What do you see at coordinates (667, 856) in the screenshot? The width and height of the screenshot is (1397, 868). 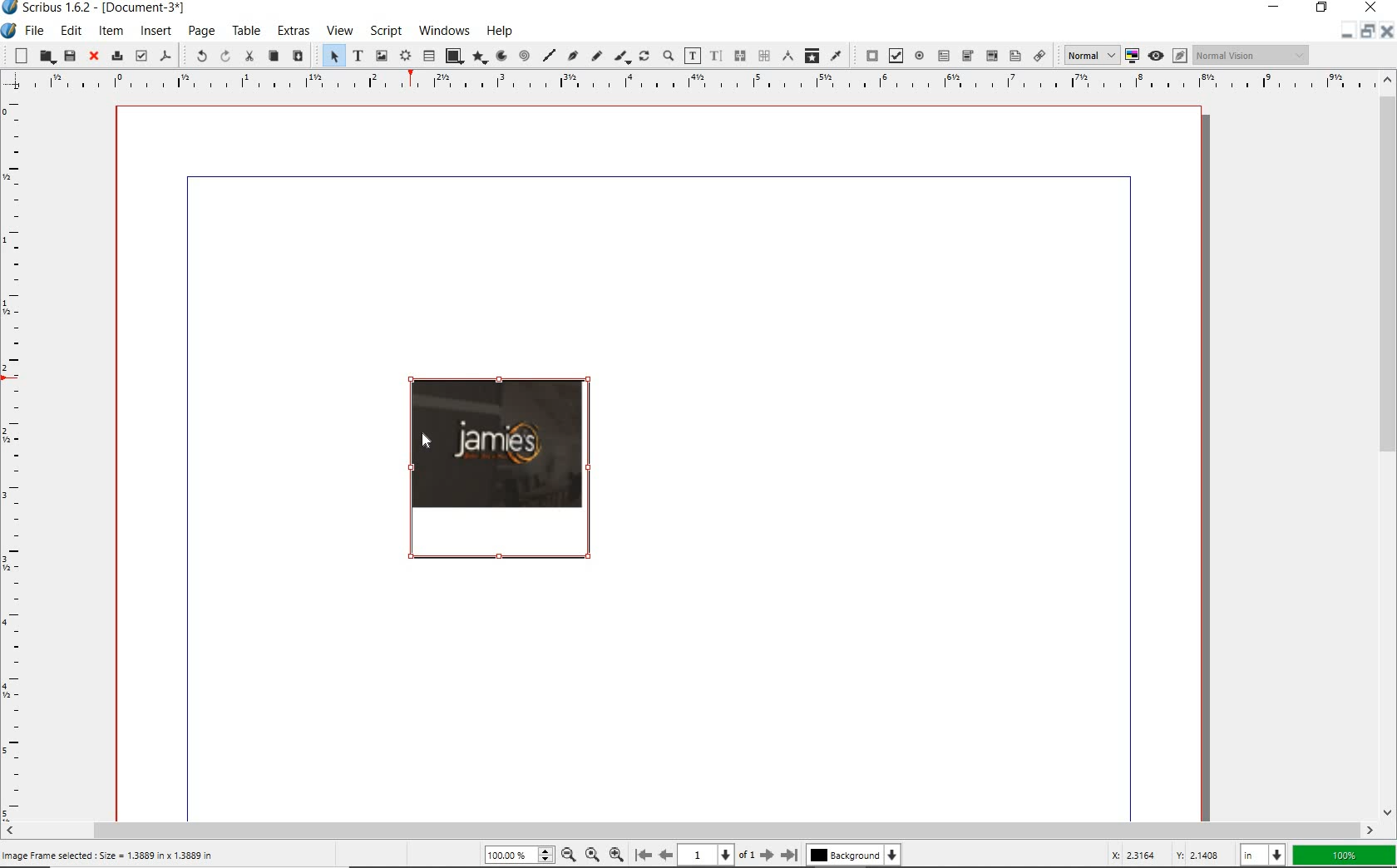 I see `previous` at bounding box center [667, 856].